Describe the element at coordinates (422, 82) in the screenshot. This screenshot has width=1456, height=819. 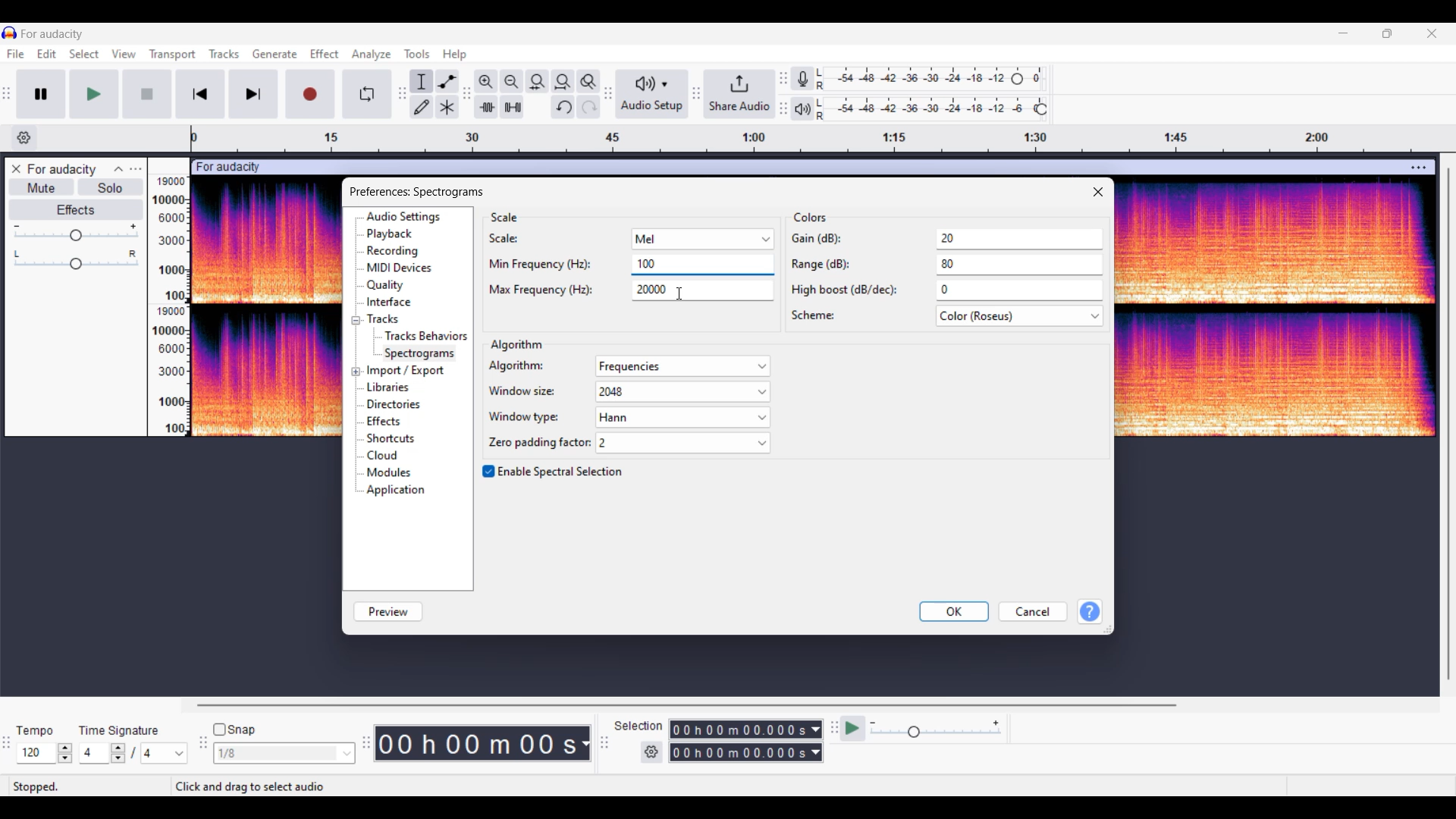
I see `Selection tool` at that location.